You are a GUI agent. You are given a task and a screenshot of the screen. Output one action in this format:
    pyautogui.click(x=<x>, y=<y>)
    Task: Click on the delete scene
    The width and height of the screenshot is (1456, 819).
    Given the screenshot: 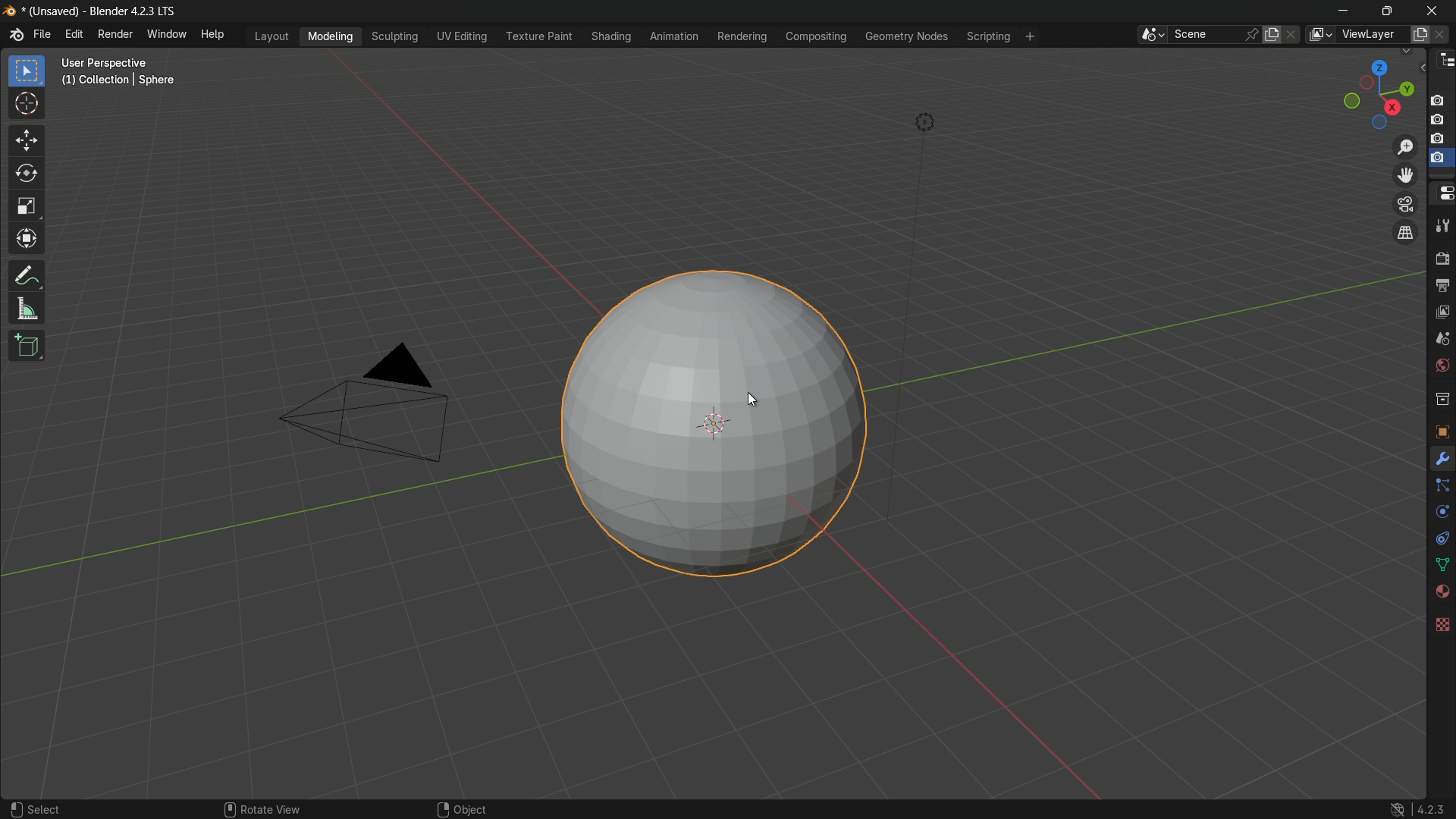 What is the action you would take?
    pyautogui.click(x=1292, y=35)
    